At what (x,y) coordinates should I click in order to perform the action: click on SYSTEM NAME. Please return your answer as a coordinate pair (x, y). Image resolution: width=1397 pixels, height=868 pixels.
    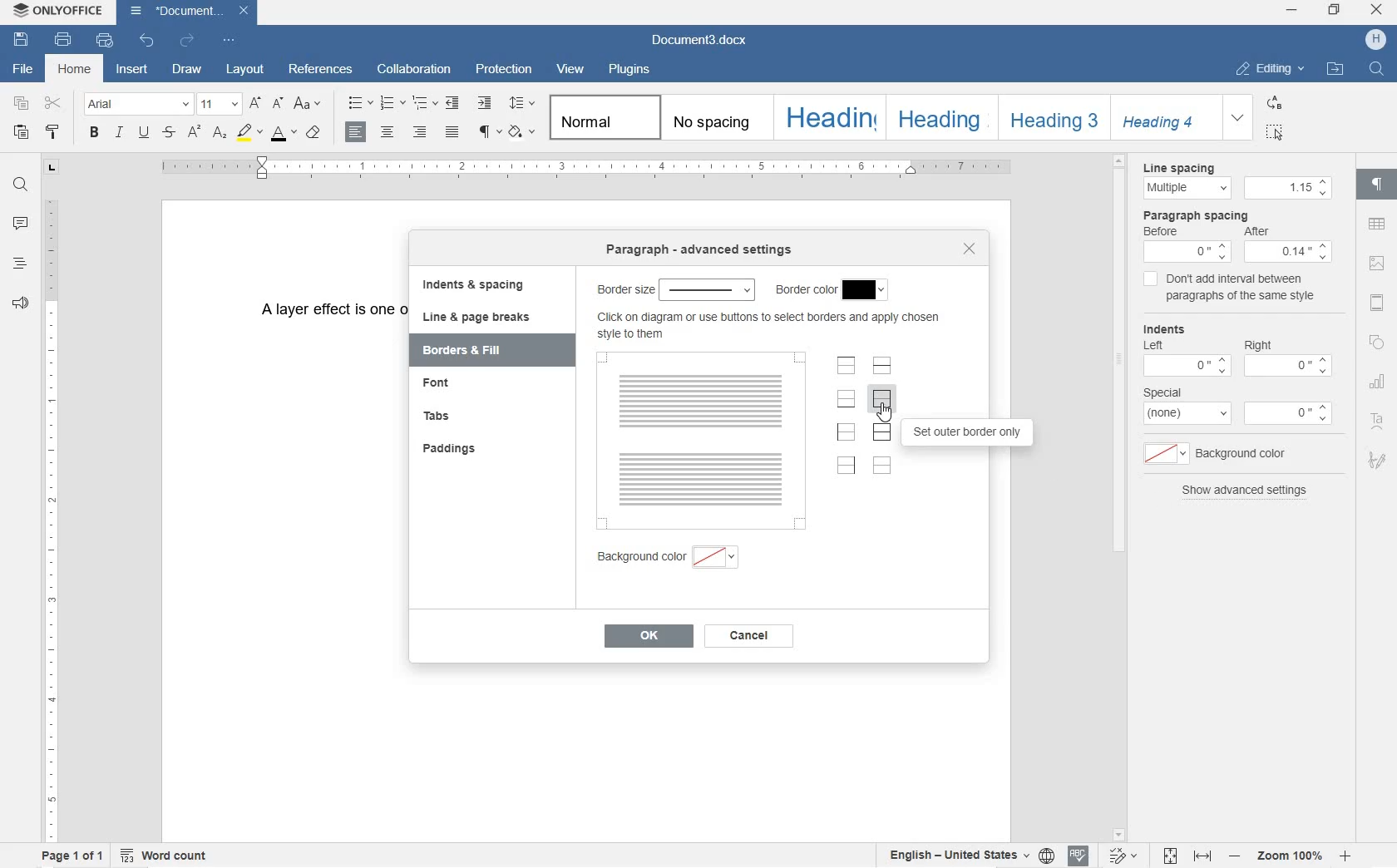
    Looking at the image, I should click on (58, 12).